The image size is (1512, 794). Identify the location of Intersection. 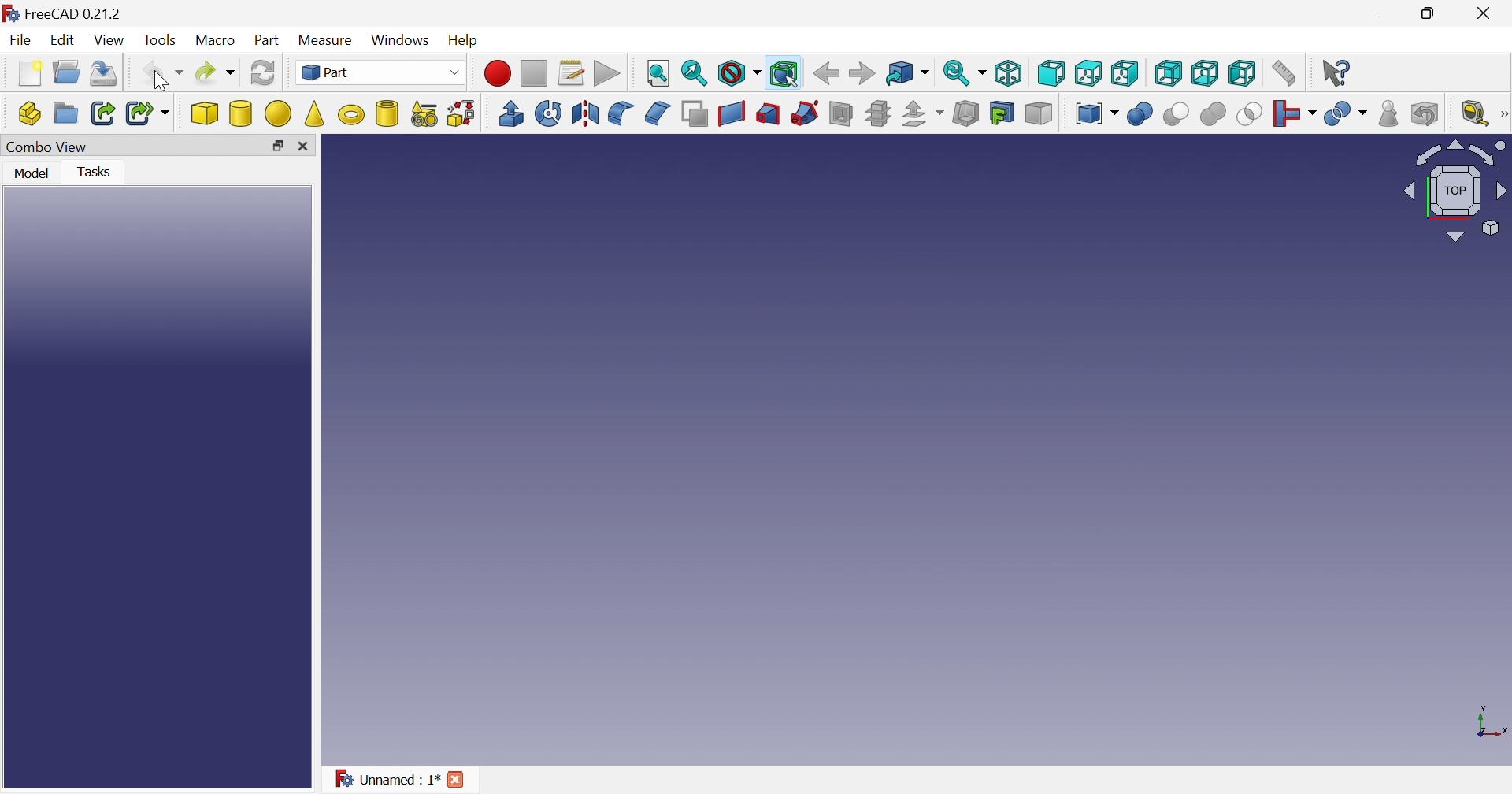
(1251, 114).